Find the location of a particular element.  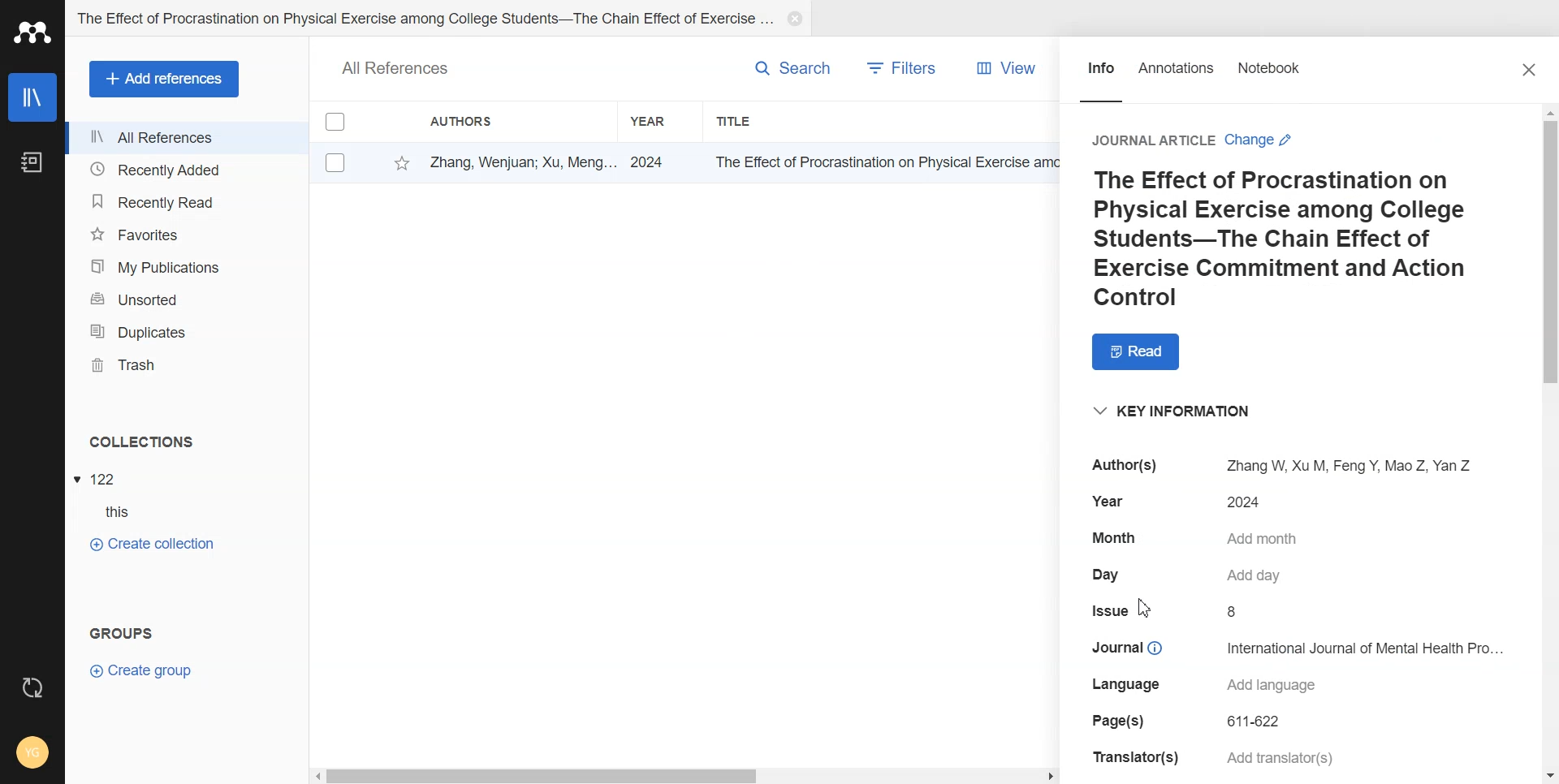

Page(s) 611-622 is located at coordinates (1189, 722).